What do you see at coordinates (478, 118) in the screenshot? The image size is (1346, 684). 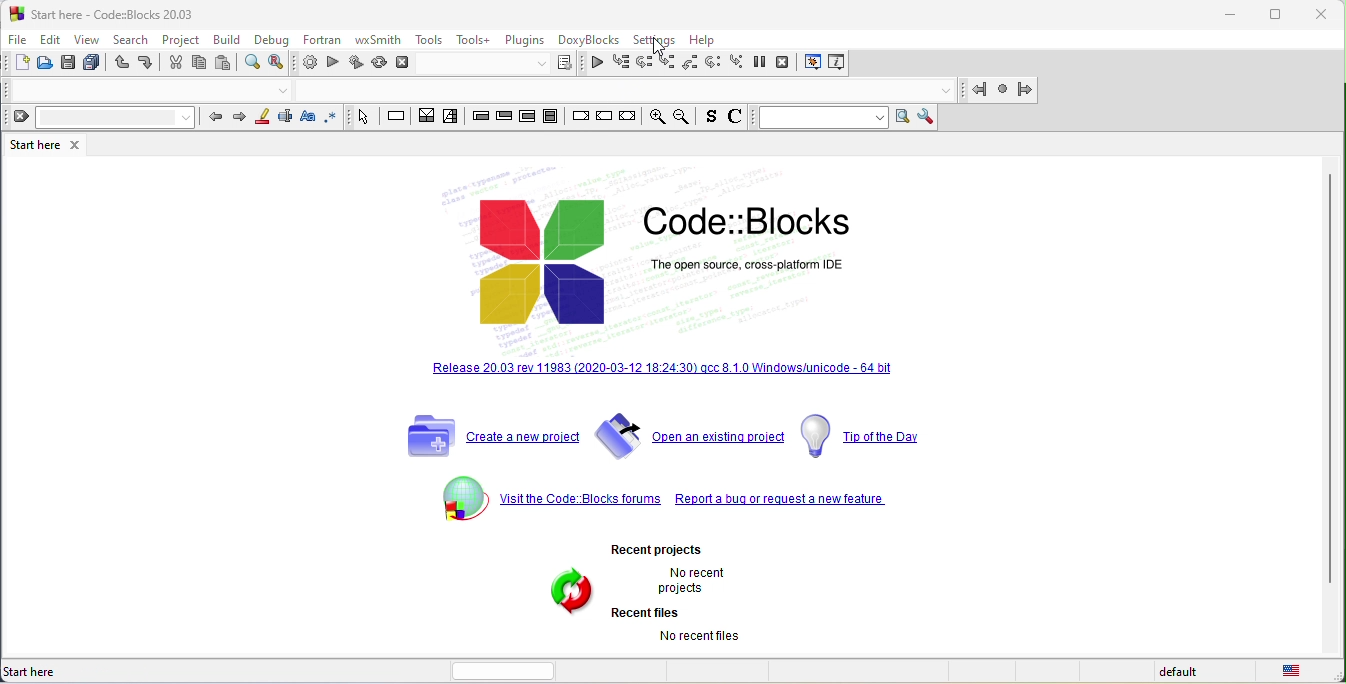 I see `entry` at bounding box center [478, 118].